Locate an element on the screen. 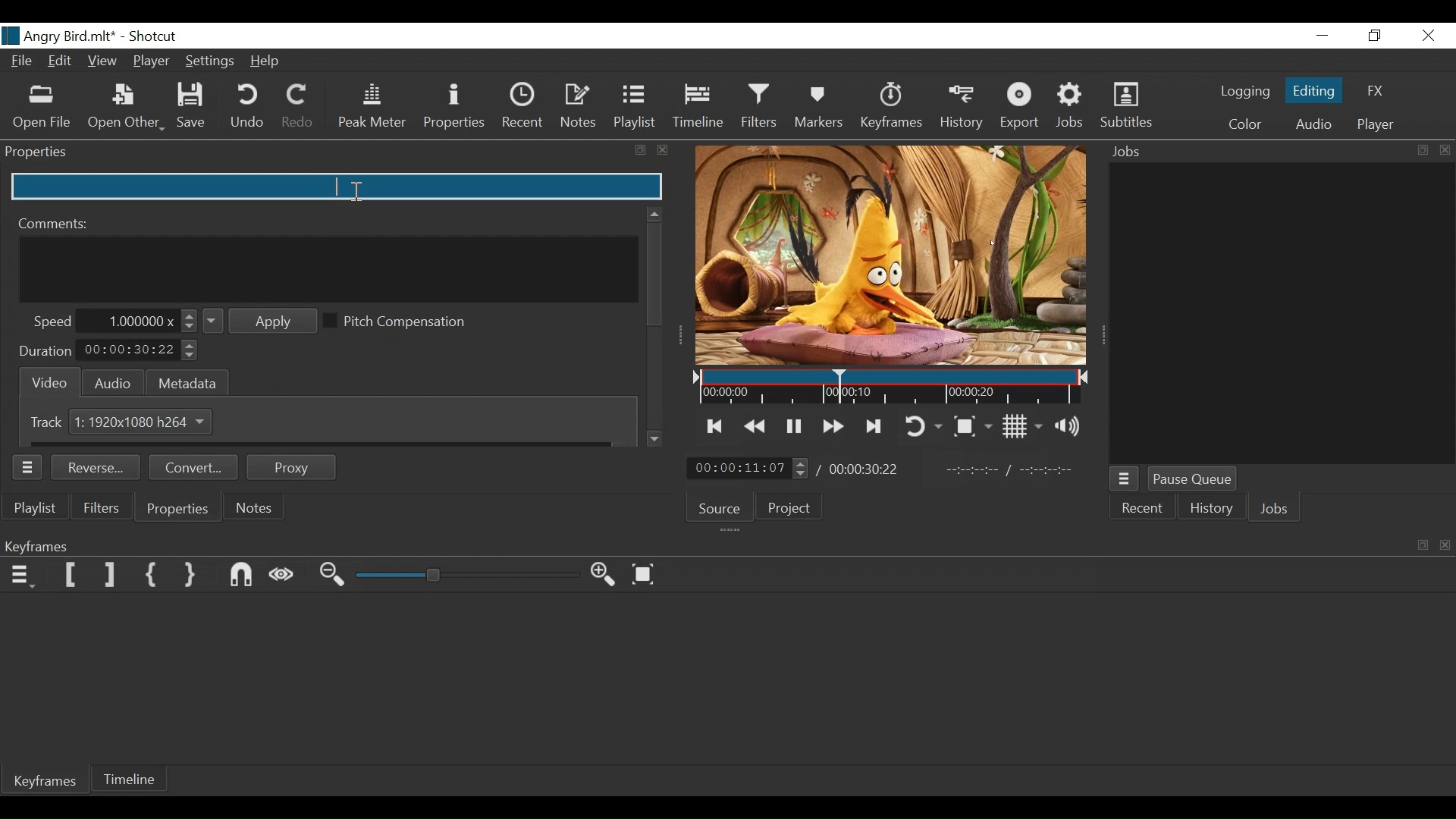 This screenshot has width=1456, height=819. Editing is located at coordinates (1313, 89).